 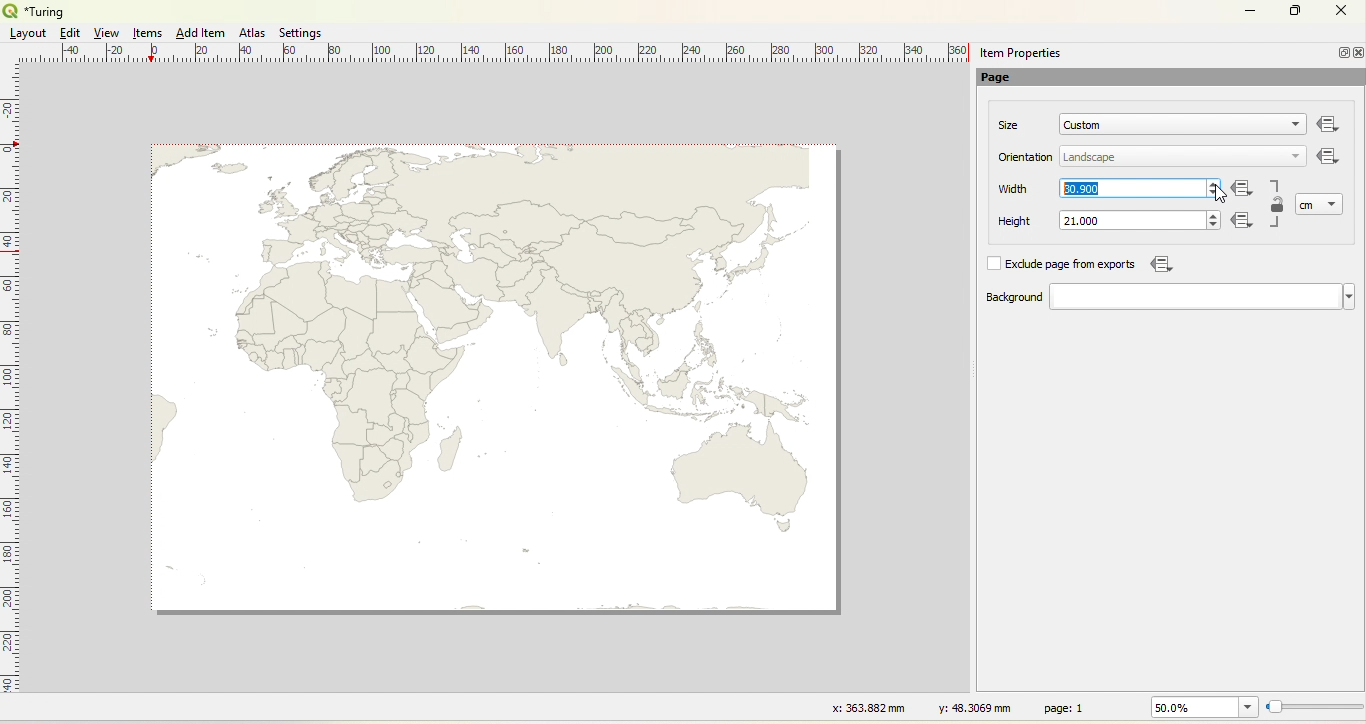 What do you see at coordinates (1084, 188) in the screenshot?
I see `30.900` at bounding box center [1084, 188].